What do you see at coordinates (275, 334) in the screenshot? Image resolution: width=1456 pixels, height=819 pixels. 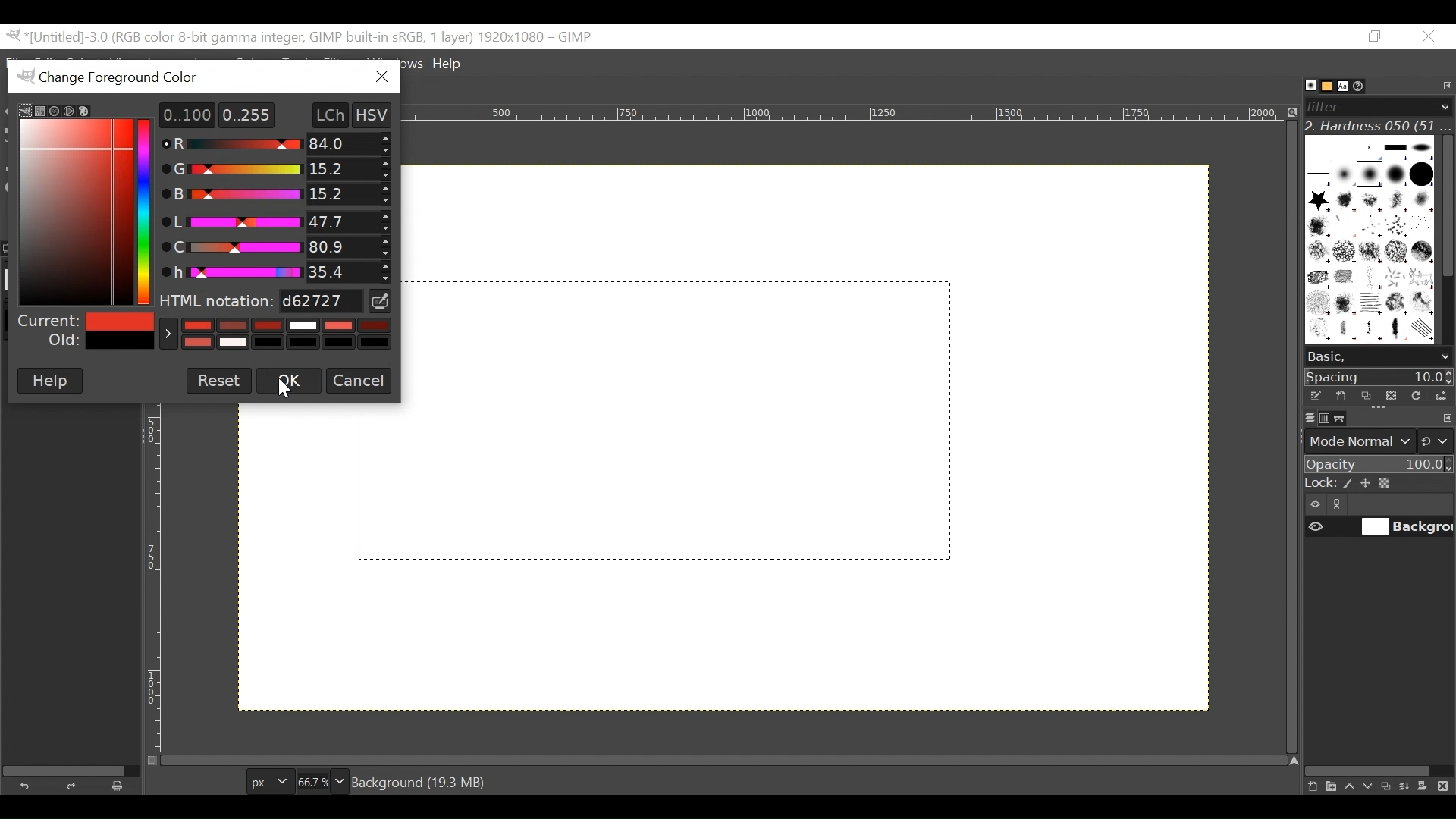 I see `Recent colors` at bounding box center [275, 334].